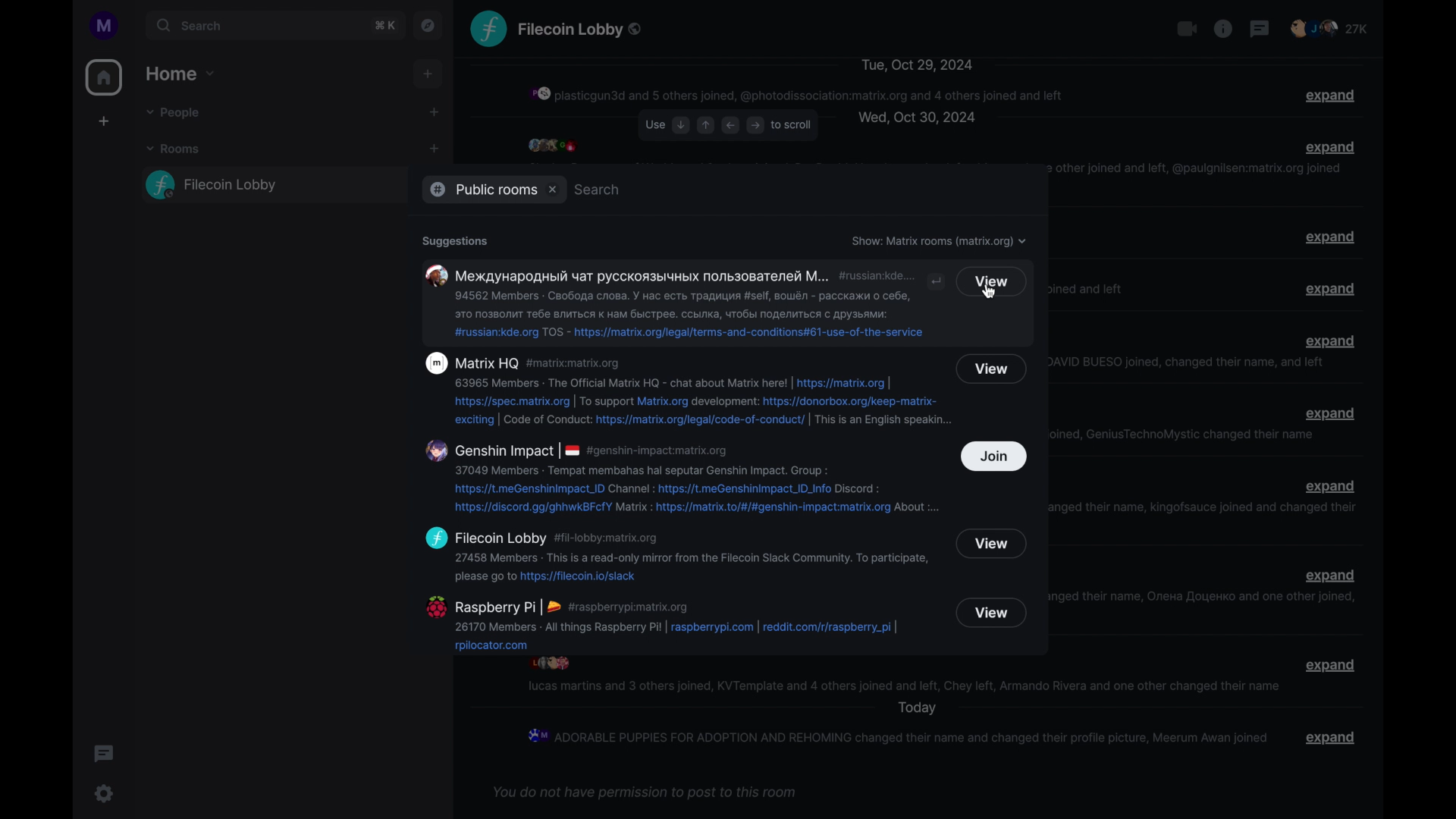 This screenshot has height=819, width=1456. Describe the element at coordinates (668, 301) in the screenshot. I see `MedXayHapoAHbIN YaT PYCCKOA3bIYHbLIX NoNb3oBaTenei M... #russiankde
94562 Members - CaoGoaa cosa. Y Hac ects Tpaguuys #self, Bown - pacckaxi o cee,
370 NO3BONUT Tee BIMTLCA K Ham BLICTPE.. CobiNKa, YTOGEI MOAGTUTLCS C APYSLAMM
#russian:kde.org TOS - https://matrix.org/legal/terms-and-conditions#61-use-of-the-service` at that location.